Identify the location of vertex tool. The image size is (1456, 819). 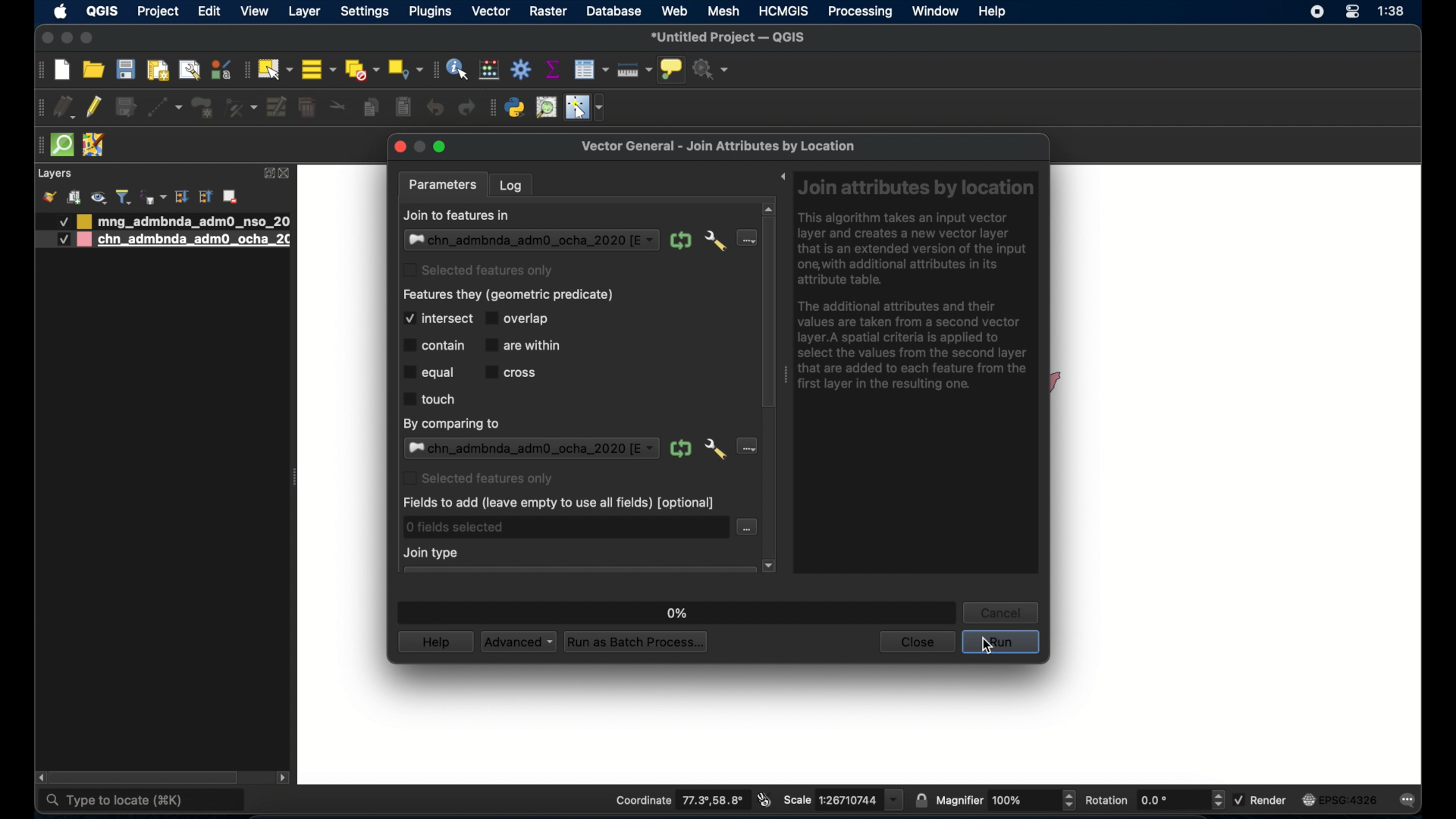
(240, 108).